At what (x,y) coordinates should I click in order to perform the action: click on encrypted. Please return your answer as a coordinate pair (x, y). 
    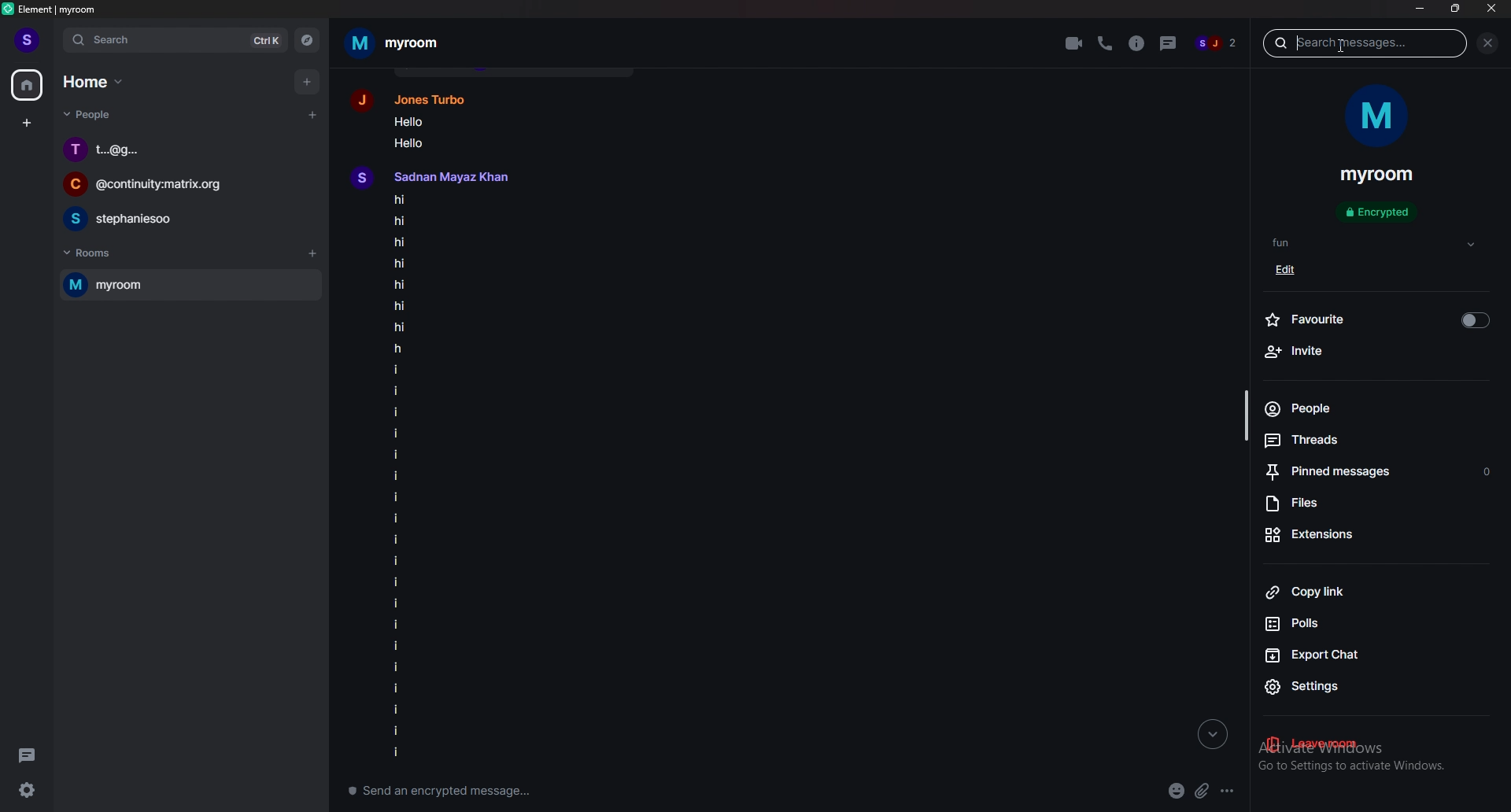
    Looking at the image, I should click on (1380, 212).